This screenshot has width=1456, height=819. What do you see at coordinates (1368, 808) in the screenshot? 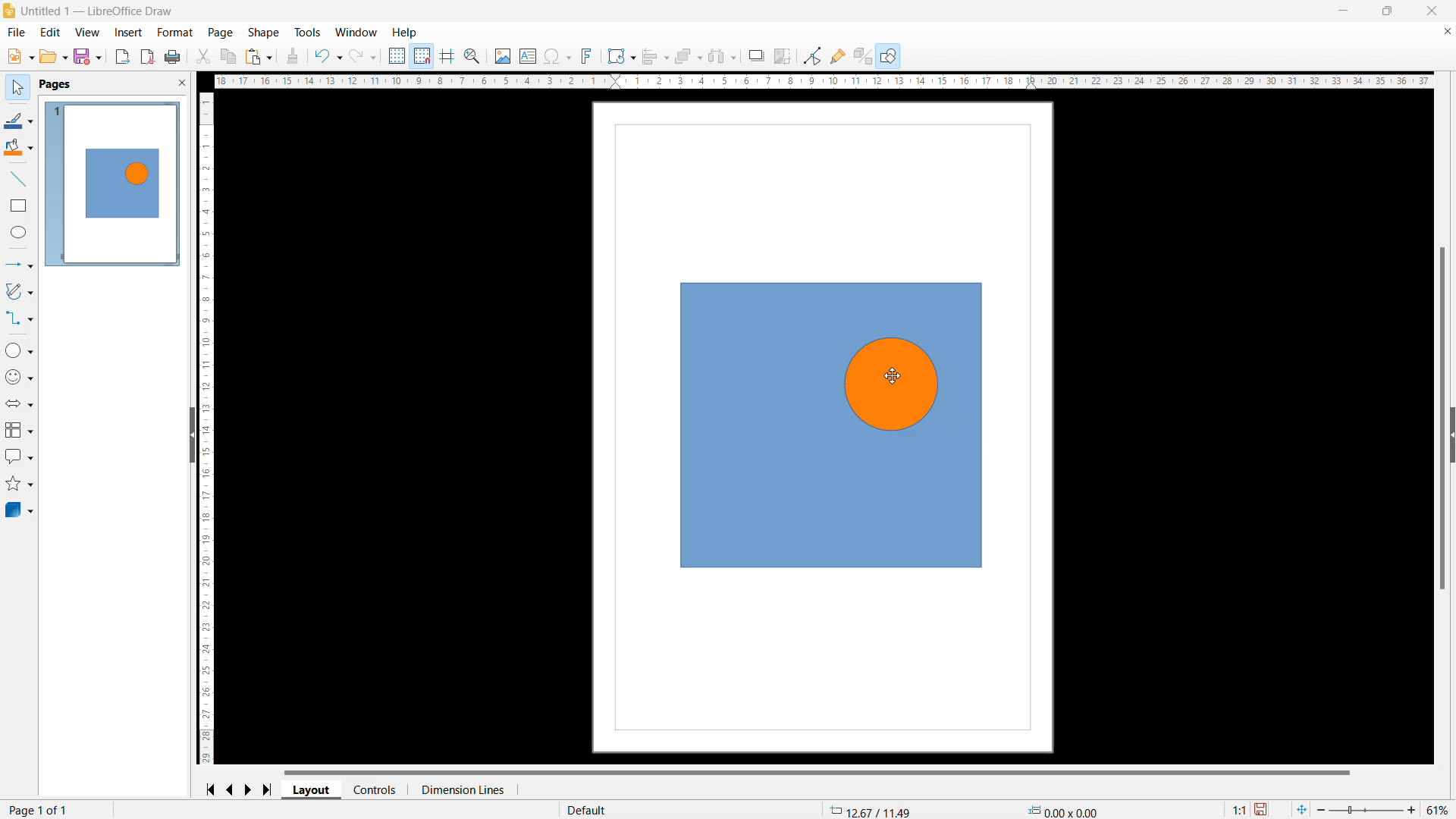
I see `zoom bar` at bounding box center [1368, 808].